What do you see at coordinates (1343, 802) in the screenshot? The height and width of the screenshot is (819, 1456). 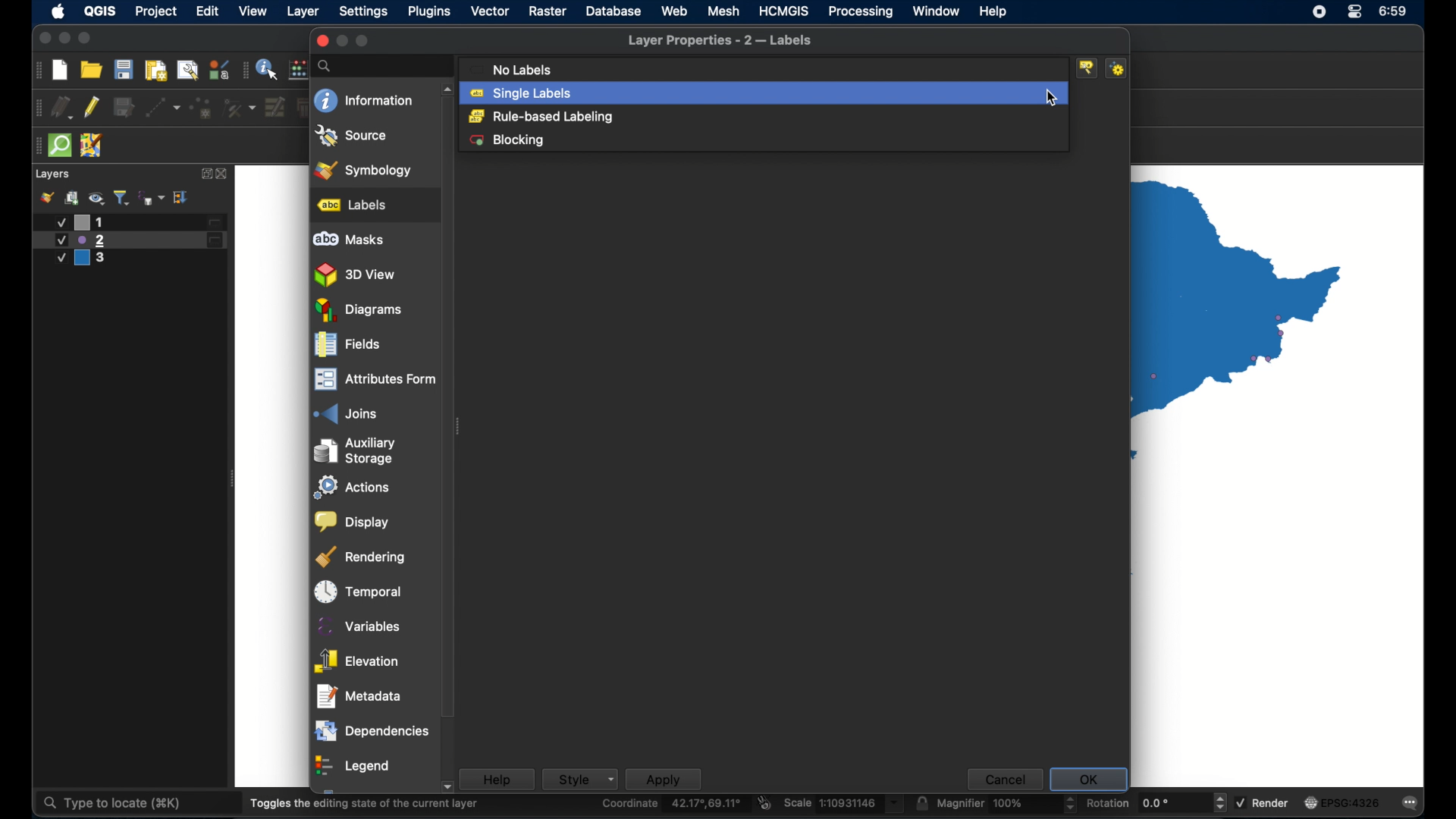 I see `current crs` at bounding box center [1343, 802].